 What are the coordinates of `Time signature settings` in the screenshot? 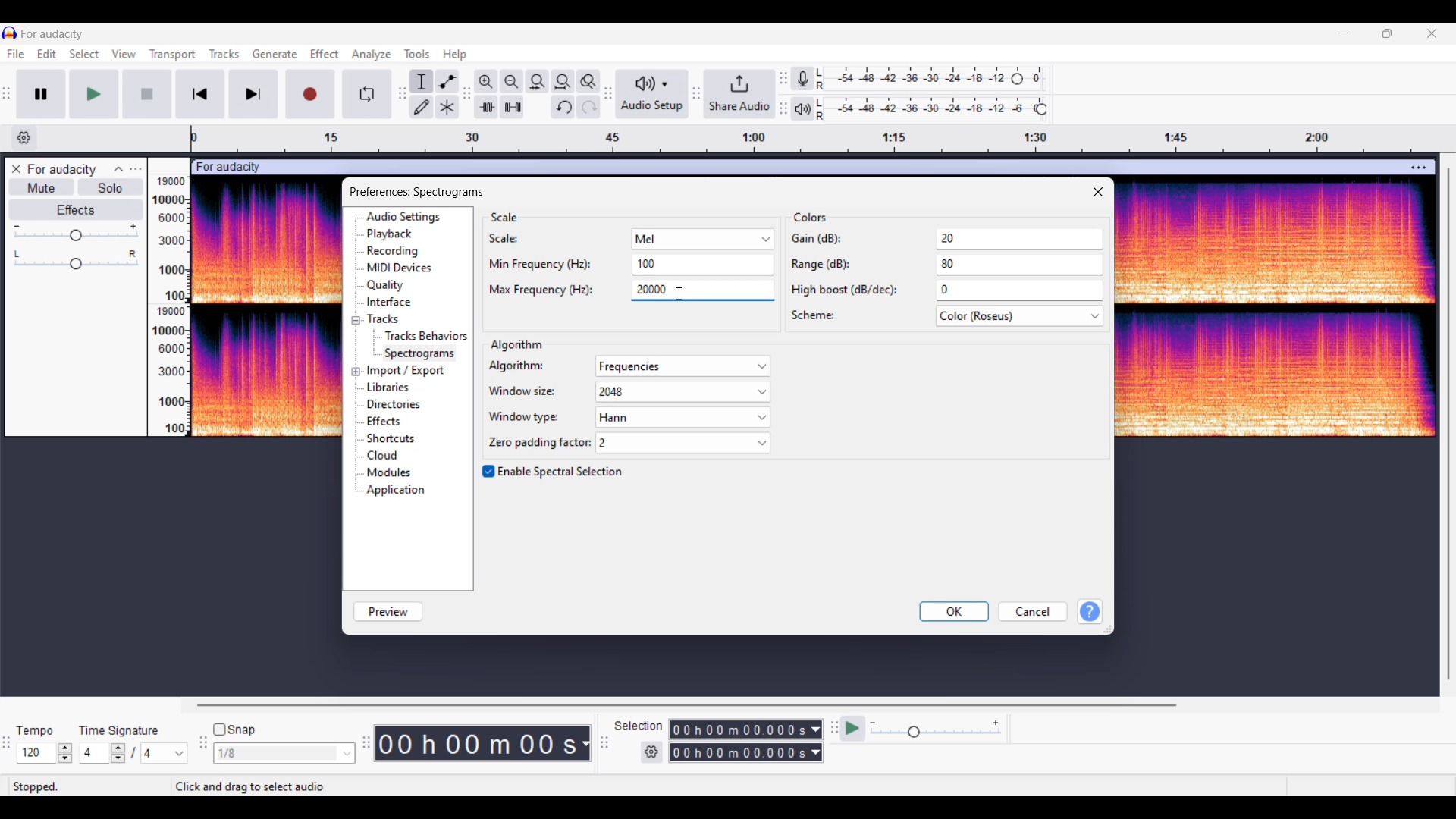 It's located at (133, 753).